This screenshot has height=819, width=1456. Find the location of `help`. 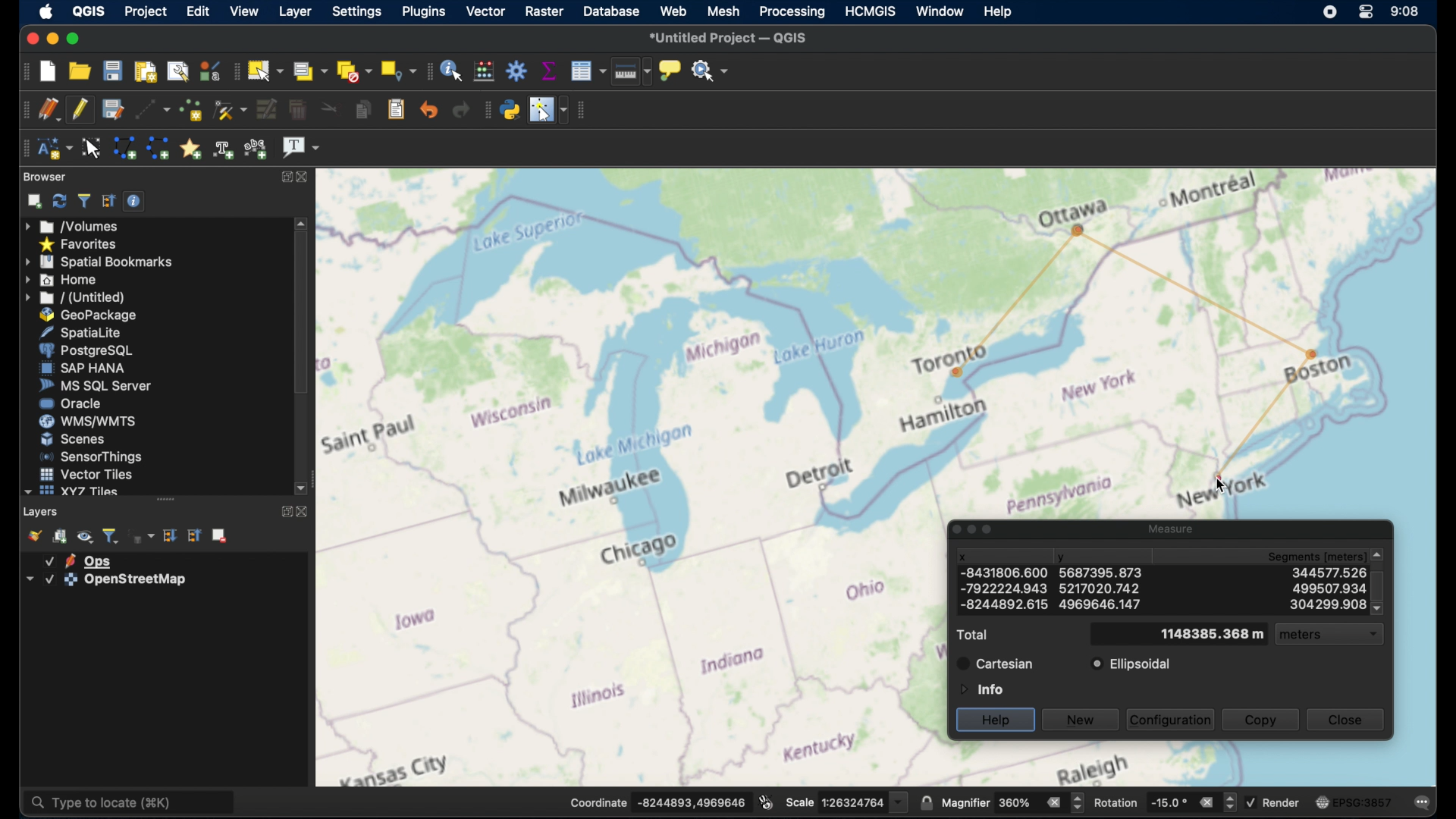

help is located at coordinates (995, 720).